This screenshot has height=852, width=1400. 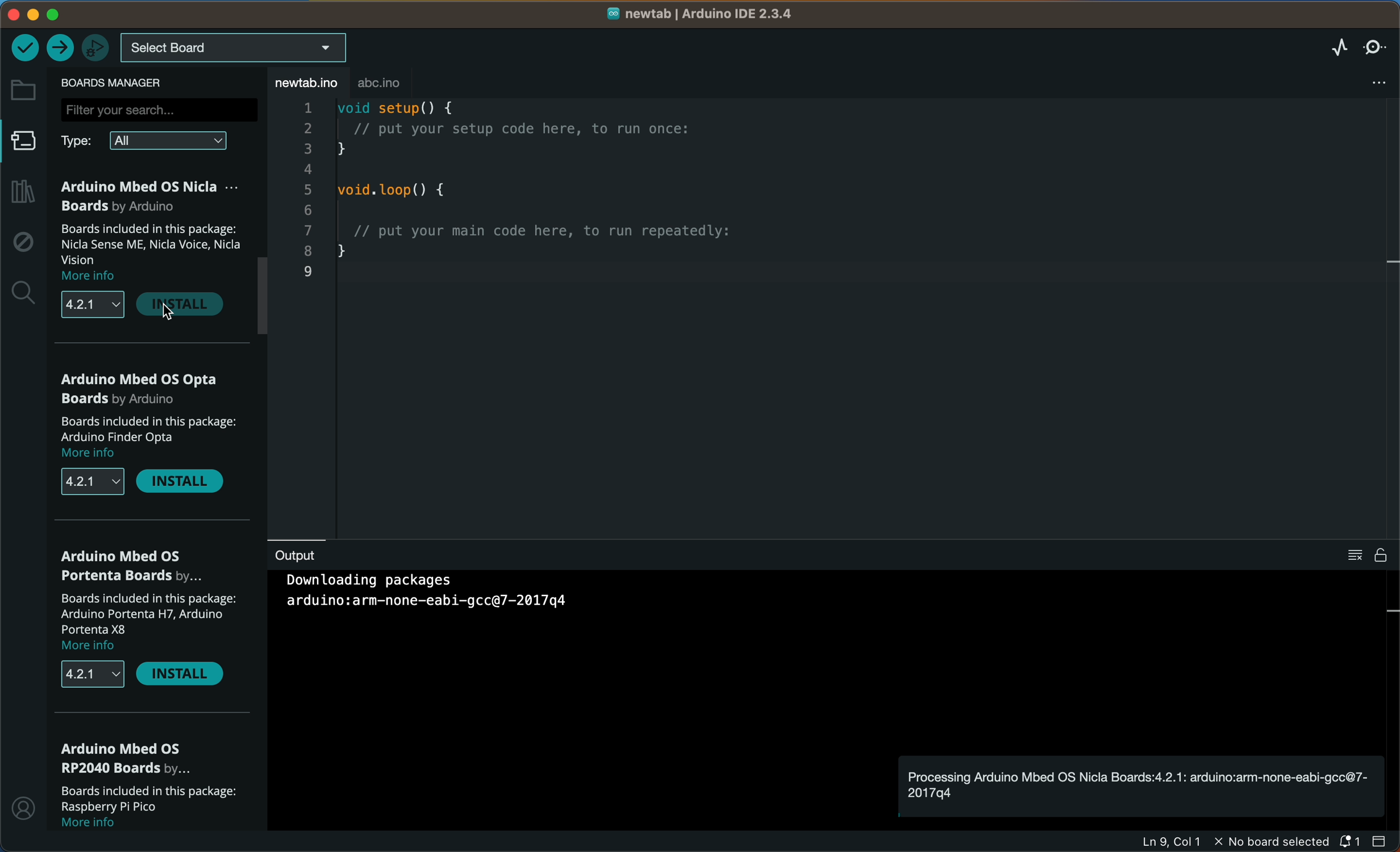 I want to click on notification, so click(x=1135, y=778).